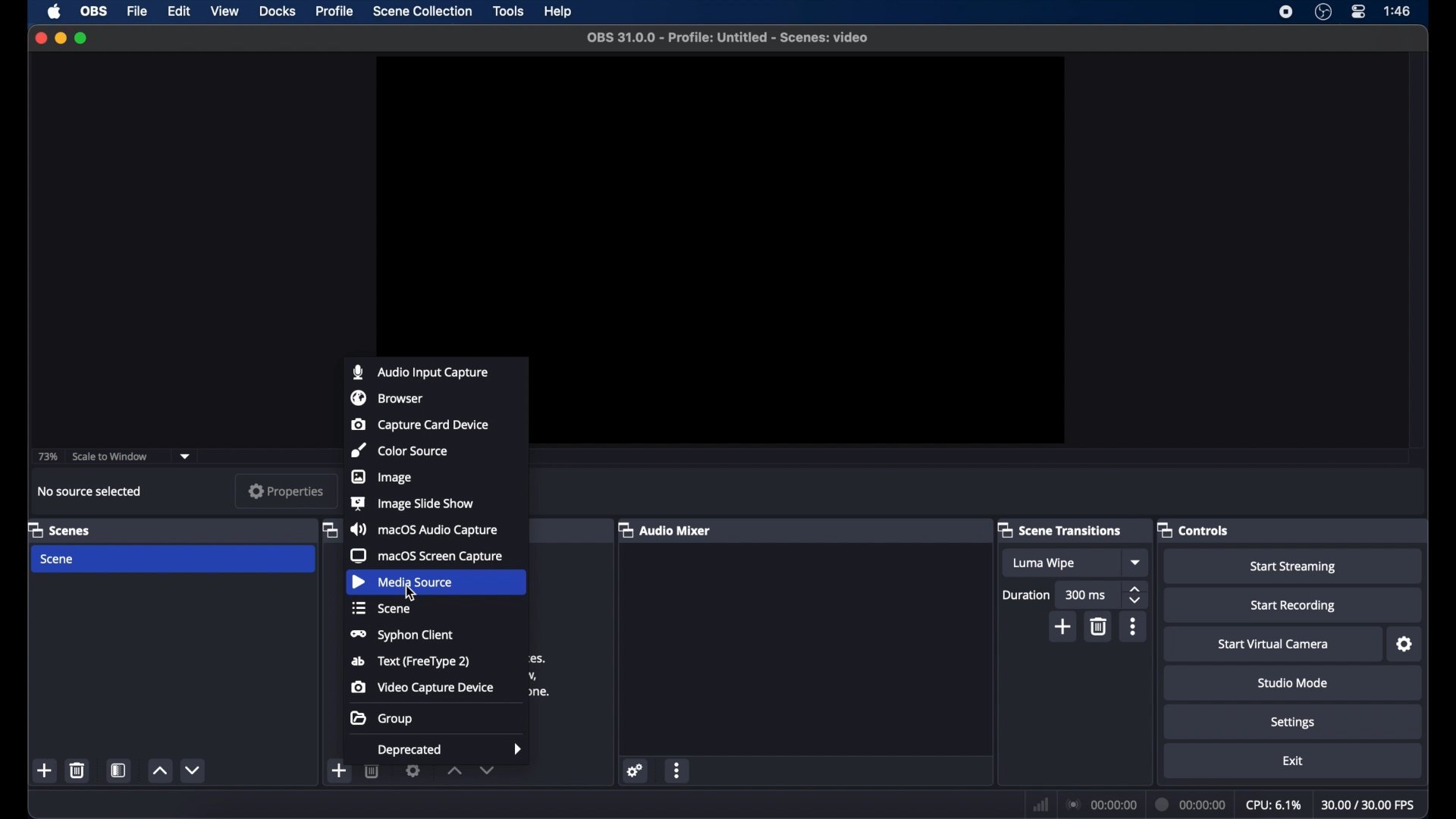 The height and width of the screenshot is (819, 1456). What do you see at coordinates (381, 608) in the screenshot?
I see `scene` at bounding box center [381, 608].